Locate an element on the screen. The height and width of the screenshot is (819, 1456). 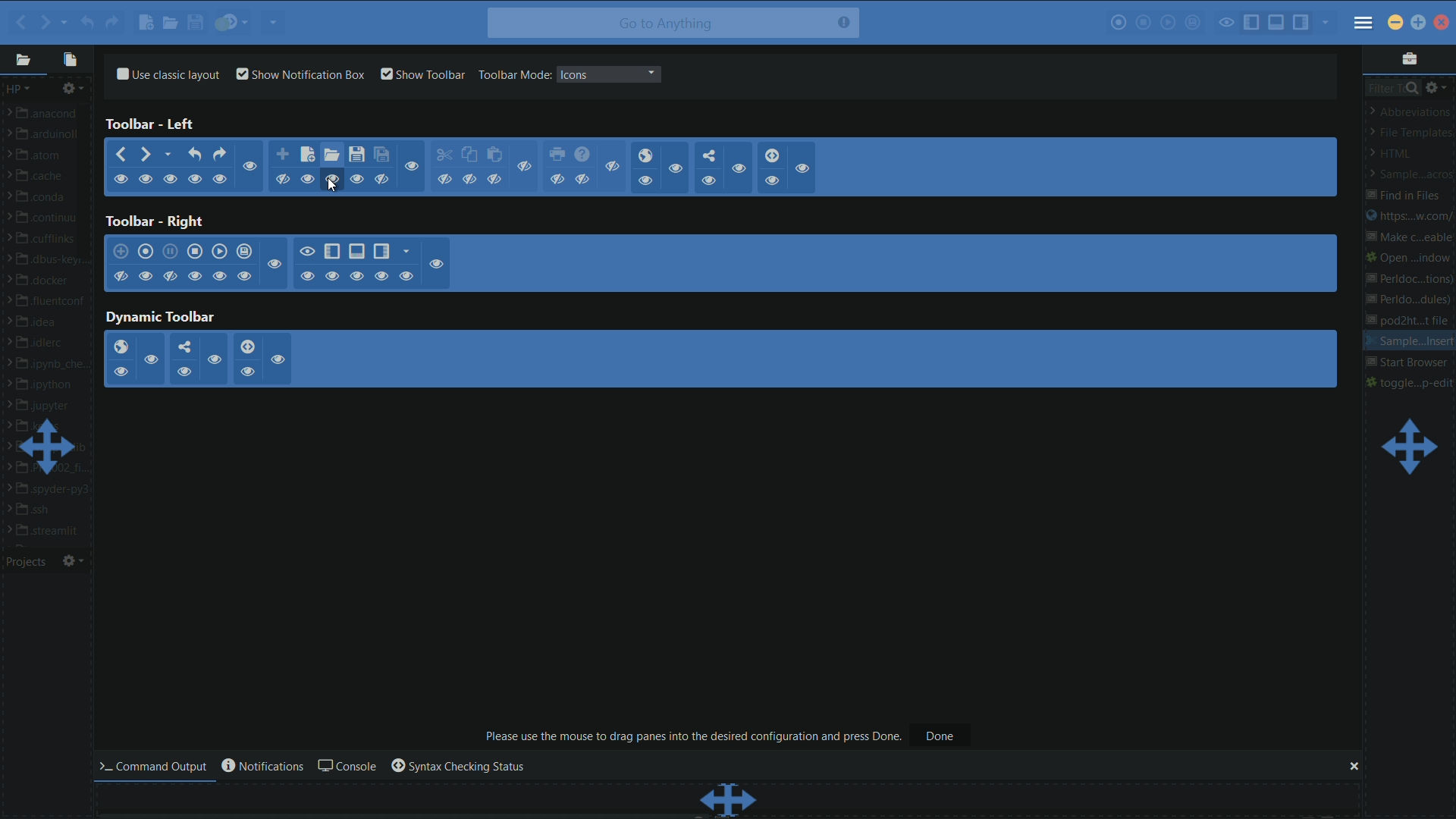
.fluentconf is located at coordinates (53, 301).